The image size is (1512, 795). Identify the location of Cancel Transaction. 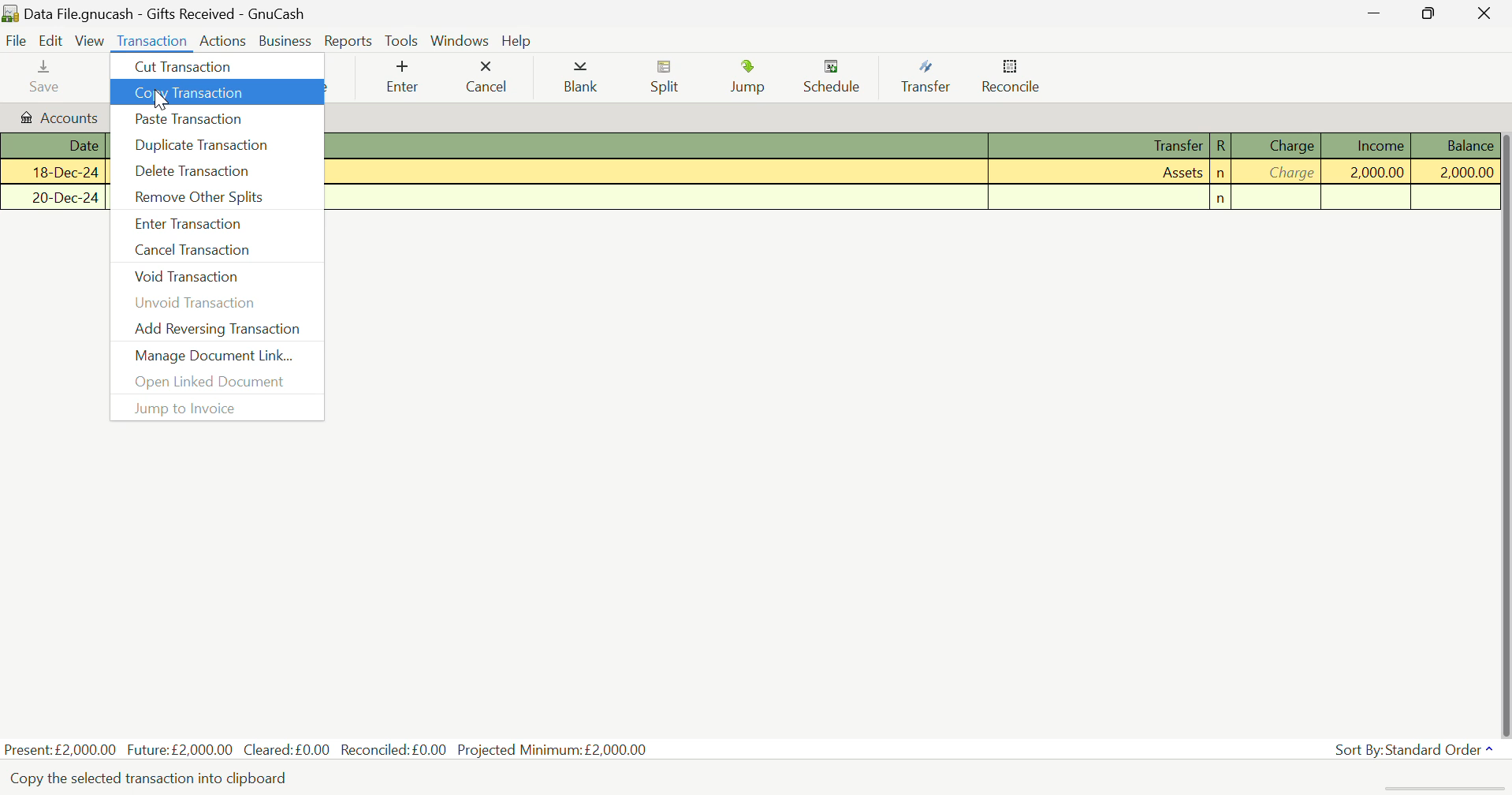
(214, 252).